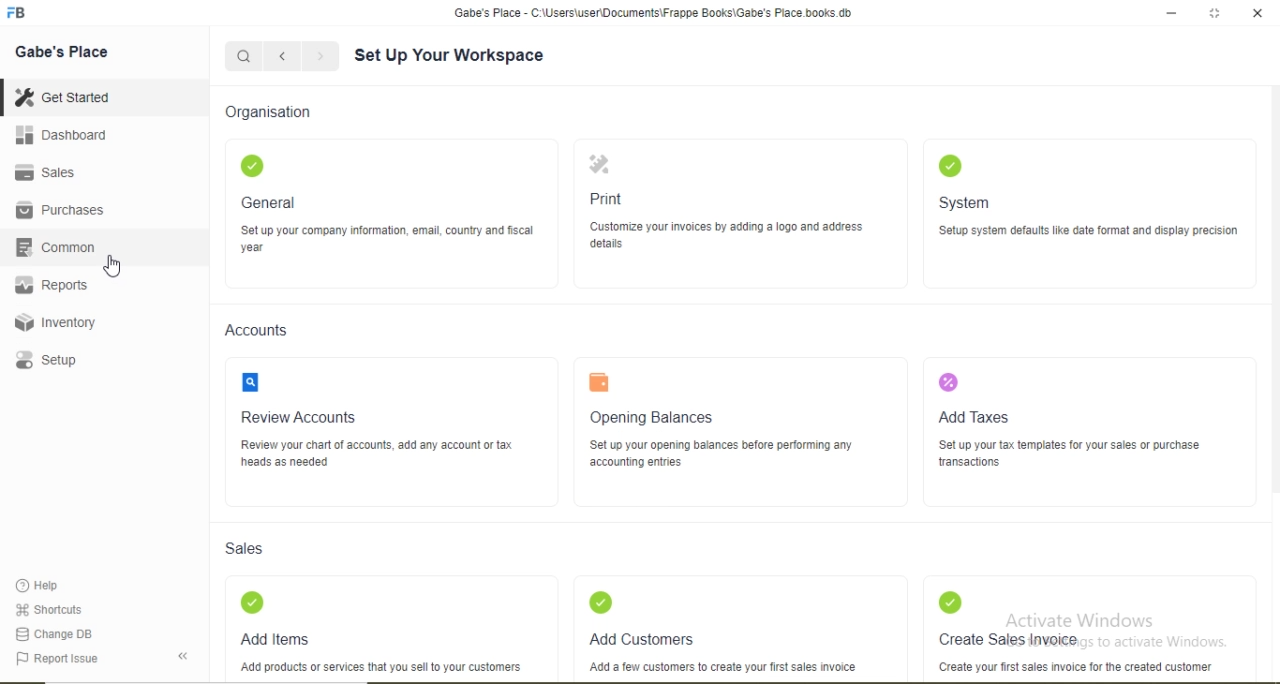 The width and height of the screenshot is (1280, 684). What do you see at coordinates (56, 659) in the screenshot?
I see `Report Issue` at bounding box center [56, 659].